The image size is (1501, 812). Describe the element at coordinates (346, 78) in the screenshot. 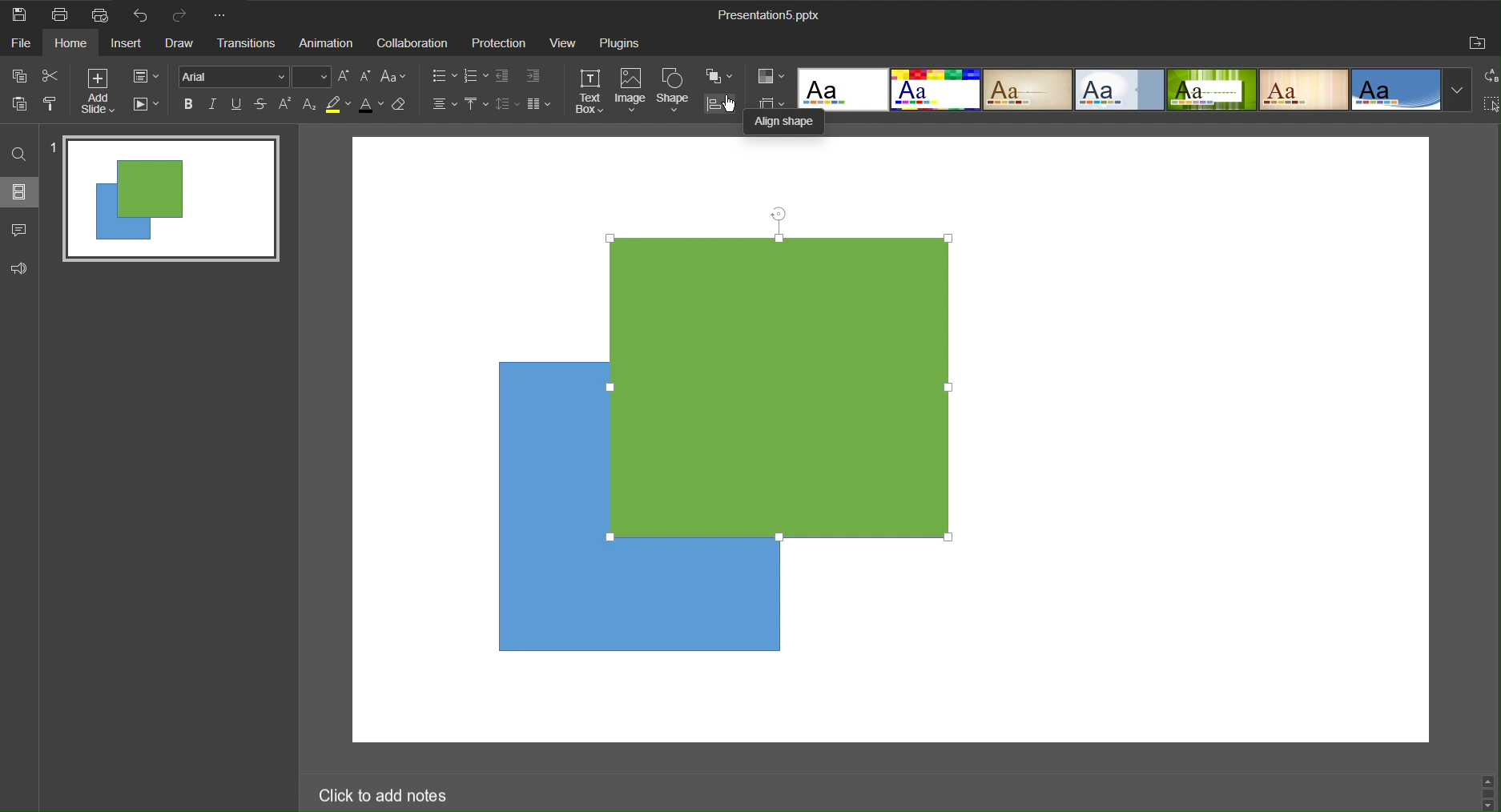

I see `decrease Font Size` at that location.